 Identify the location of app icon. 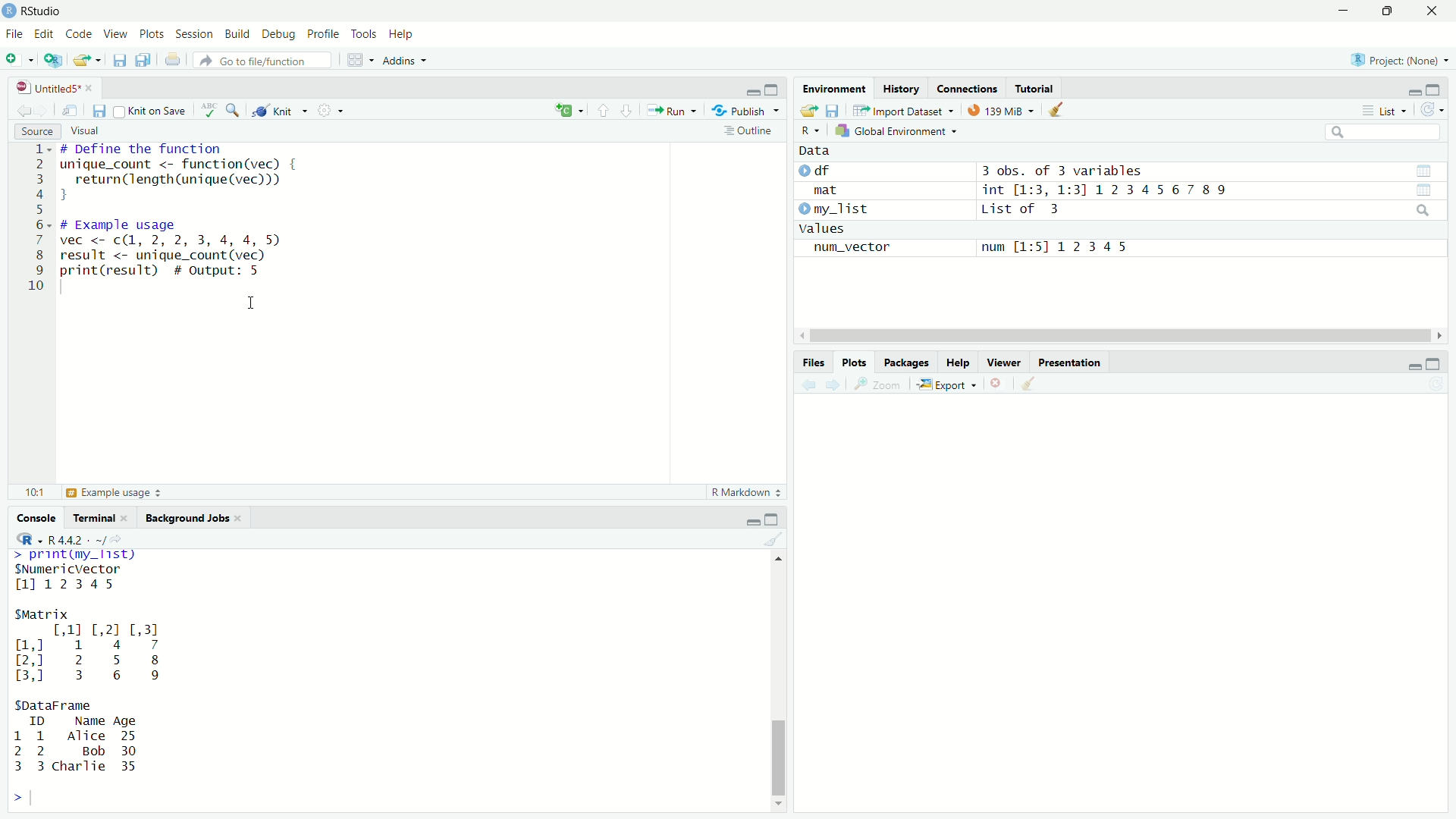
(9, 11).